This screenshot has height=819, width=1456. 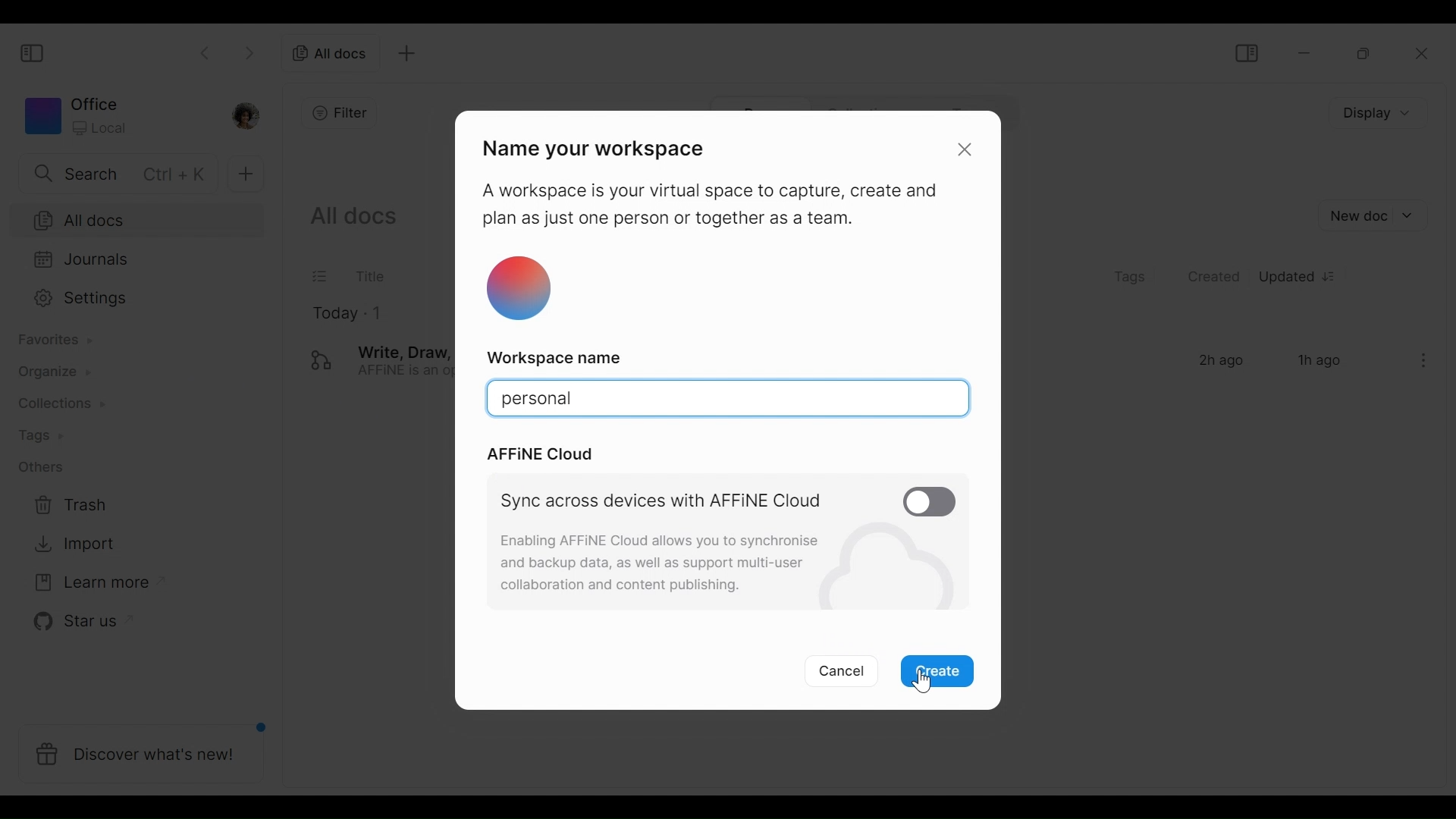 What do you see at coordinates (840, 670) in the screenshot?
I see `Cancel` at bounding box center [840, 670].